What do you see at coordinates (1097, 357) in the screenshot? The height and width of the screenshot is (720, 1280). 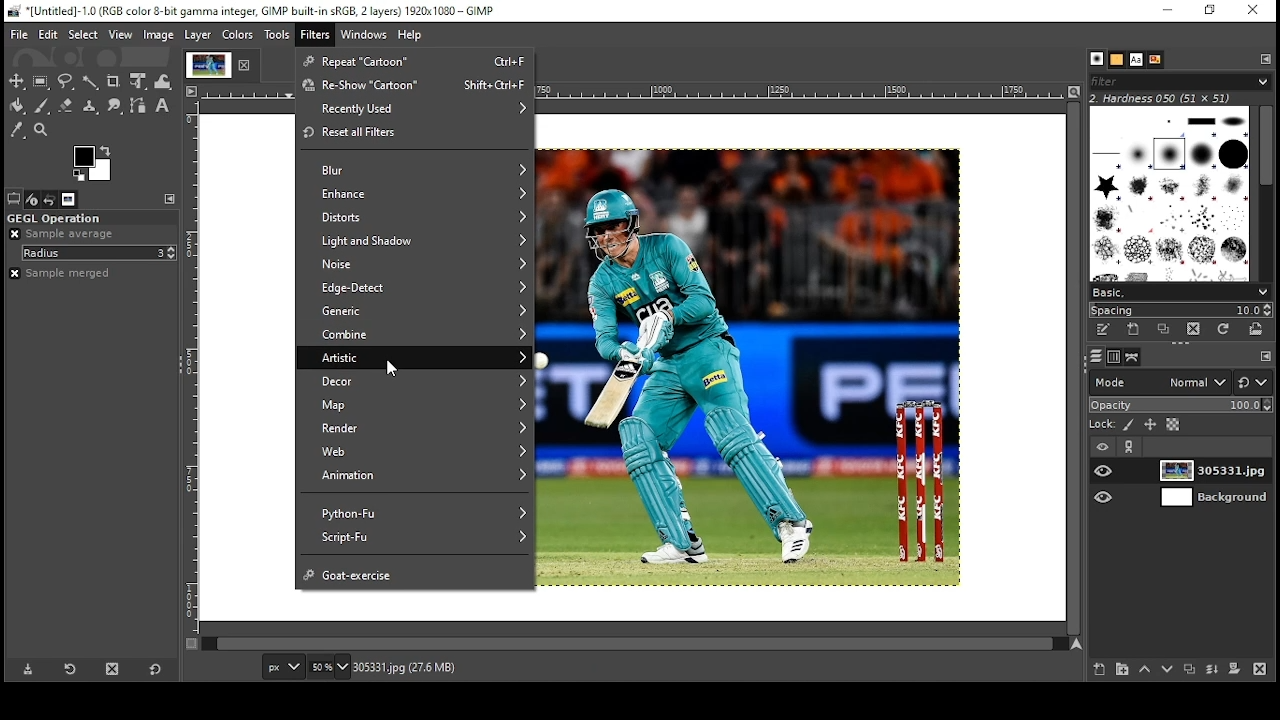 I see `layers` at bounding box center [1097, 357].